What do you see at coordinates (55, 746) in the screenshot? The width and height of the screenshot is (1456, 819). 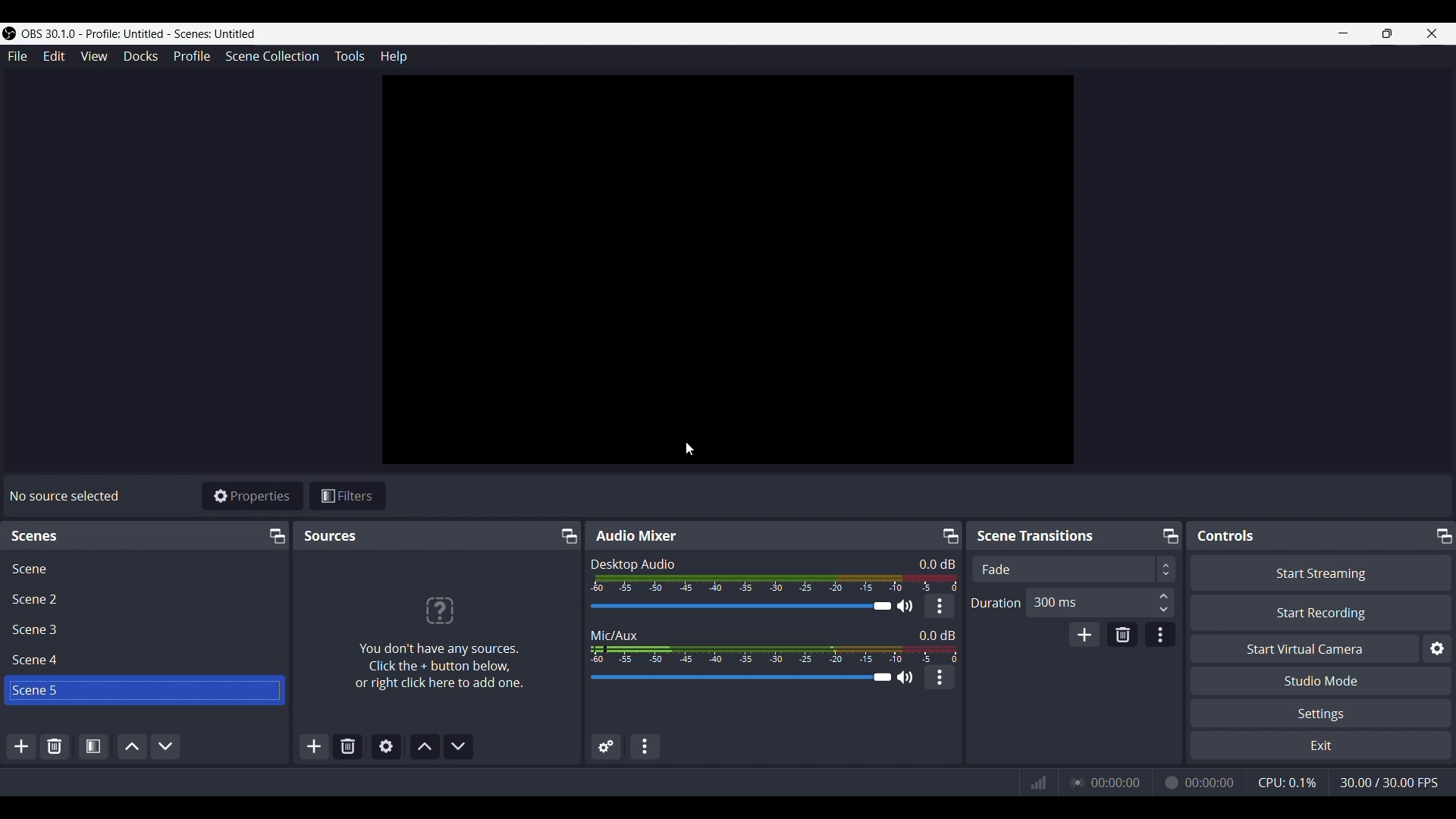 I see `Remove selected scene` at bounding box center [55, 746].